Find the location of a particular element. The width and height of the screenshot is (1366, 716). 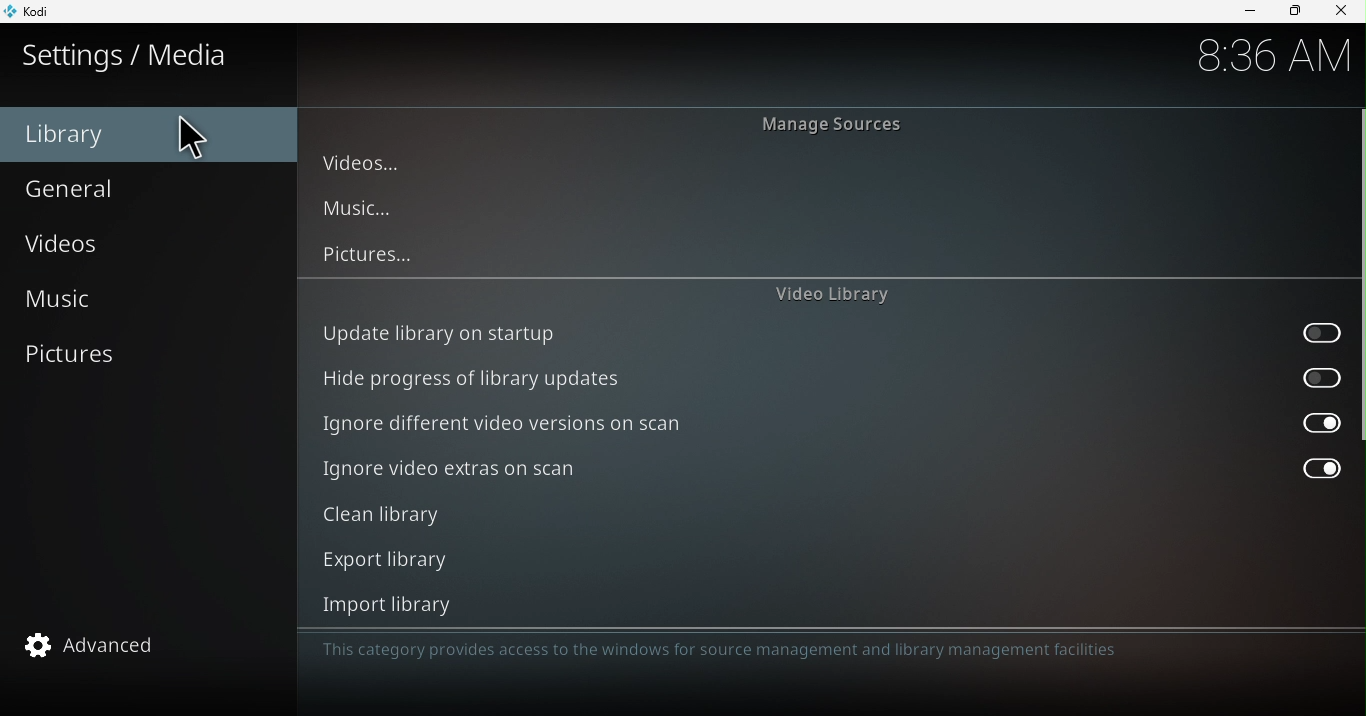

Music is located at coordinates (138, 303).